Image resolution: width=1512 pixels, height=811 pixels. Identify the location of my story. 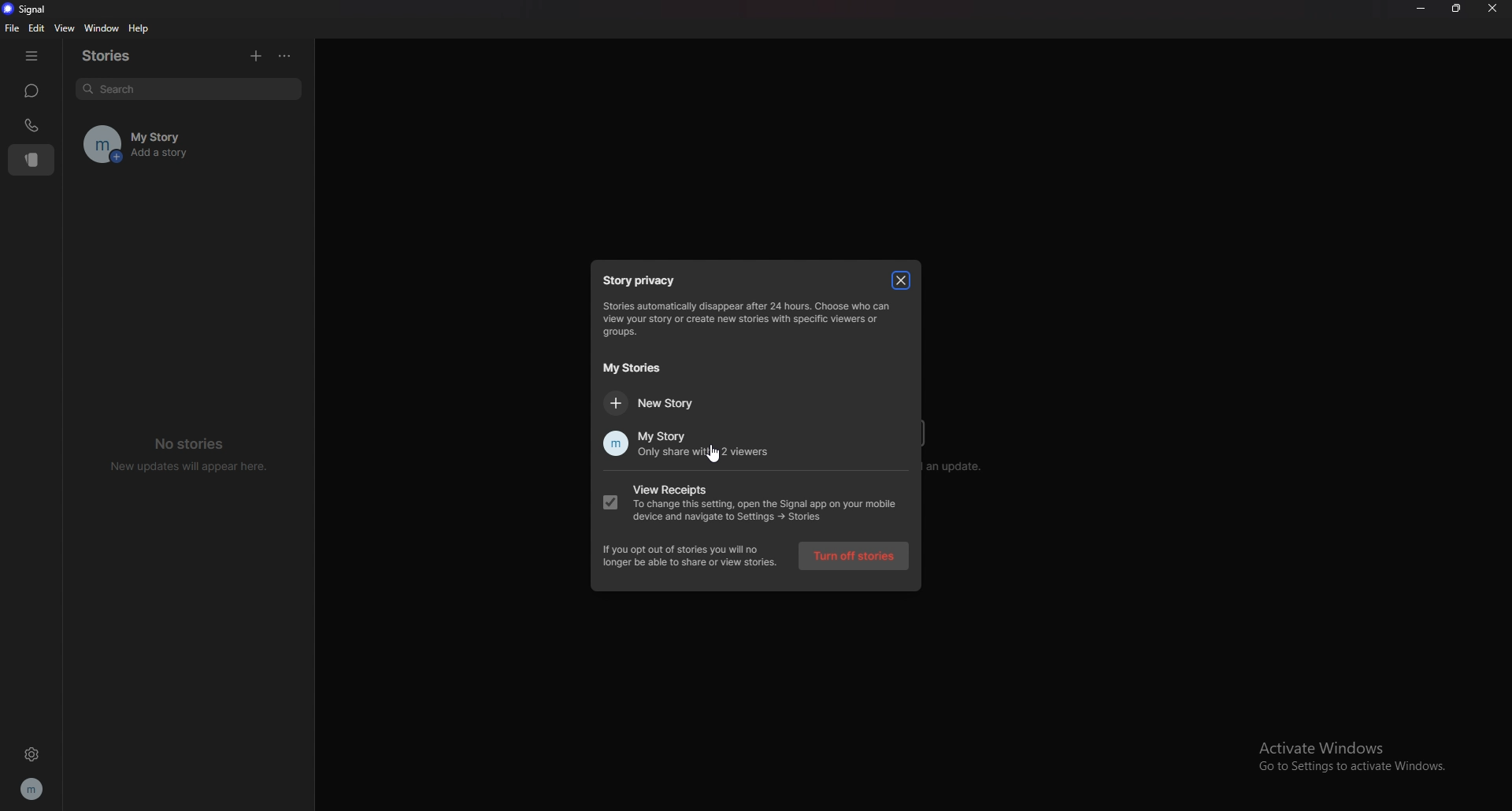
(210, 132).